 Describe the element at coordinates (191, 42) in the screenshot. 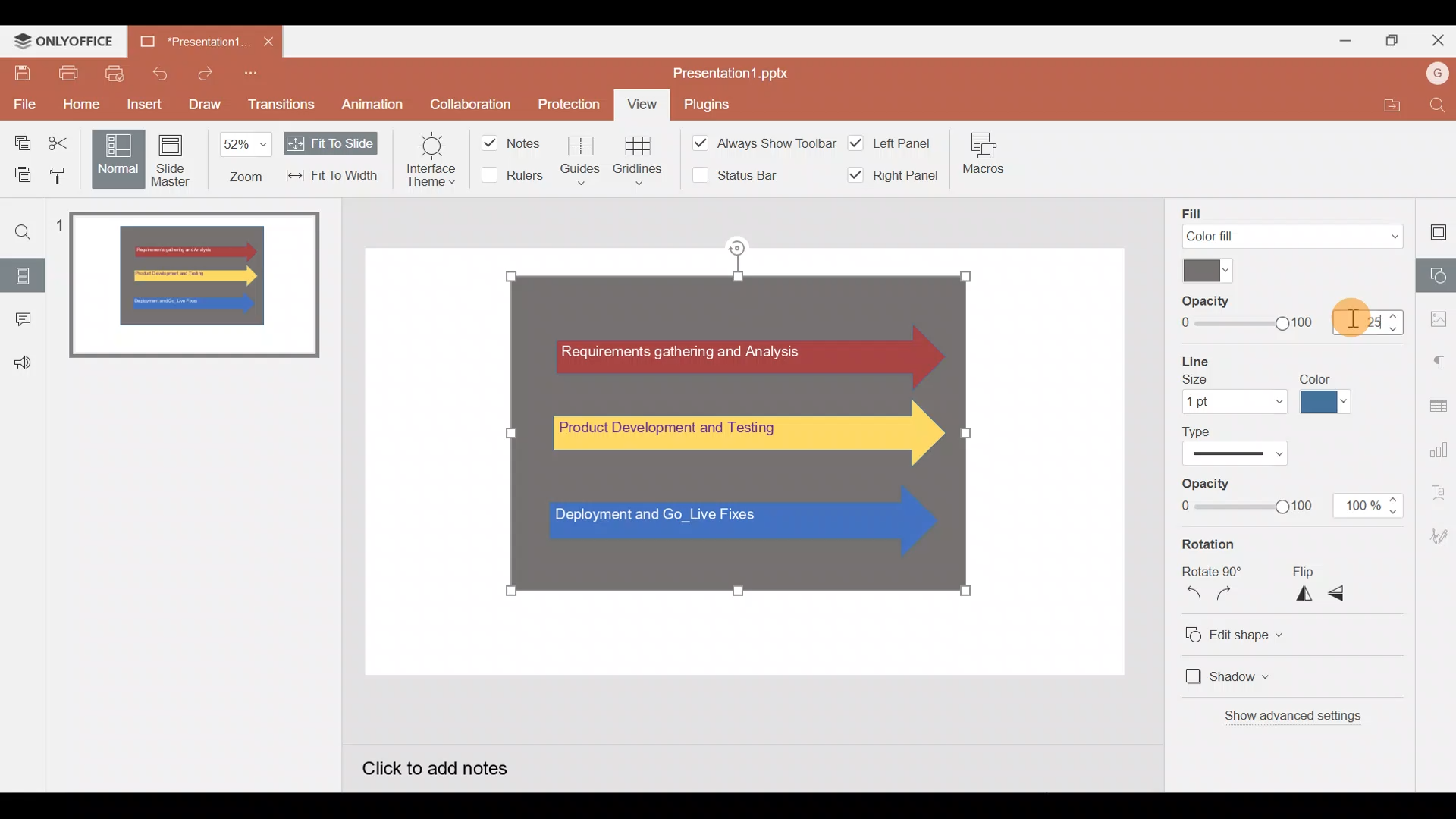

I see `Presentation1.` at that location.